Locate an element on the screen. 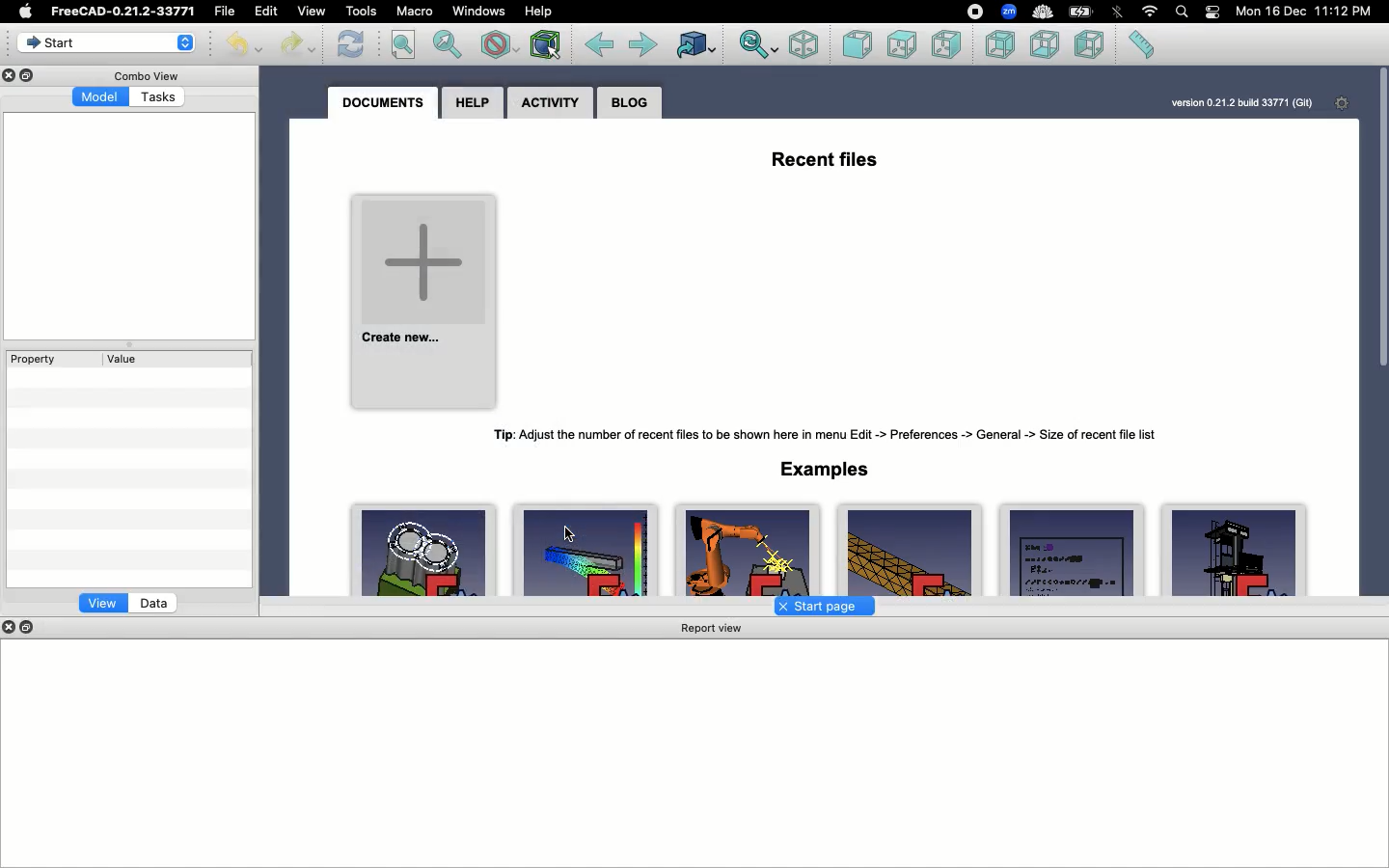 The width and height of the screenshot is (1389, 868). Bounding box is located at coordinates (548, 44).